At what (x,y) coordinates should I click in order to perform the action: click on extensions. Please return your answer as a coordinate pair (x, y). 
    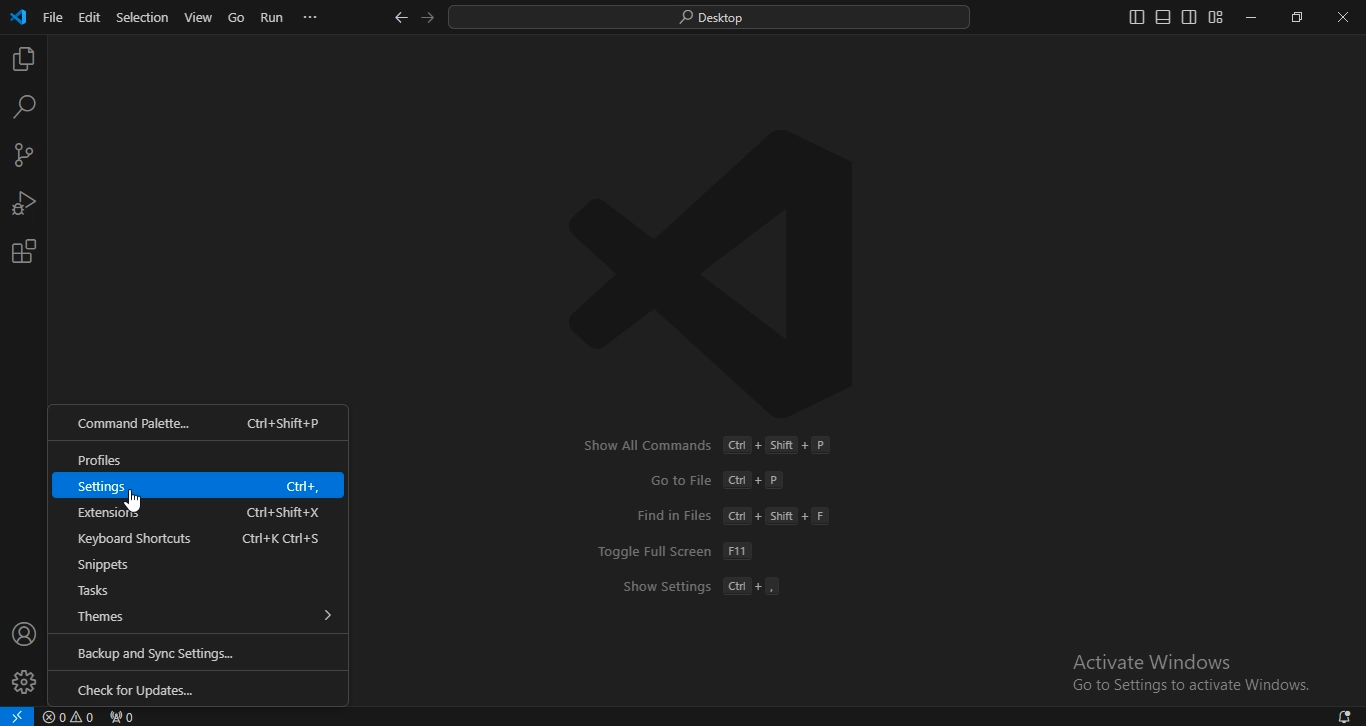
    Looking at the image, I should click on (147, 511).